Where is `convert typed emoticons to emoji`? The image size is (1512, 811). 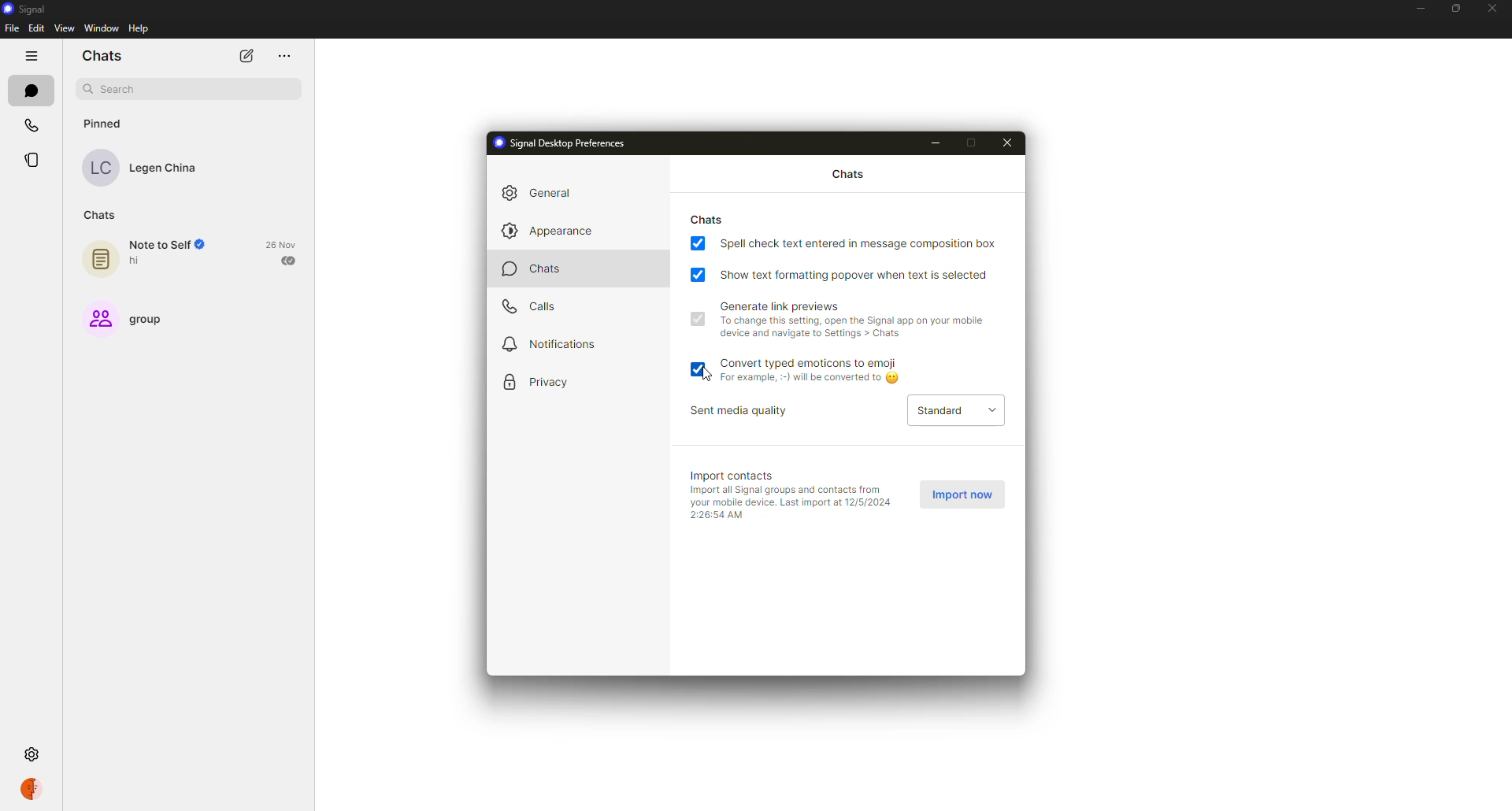 convert typed emoticons to emoji is located at coordinates (814, 372).